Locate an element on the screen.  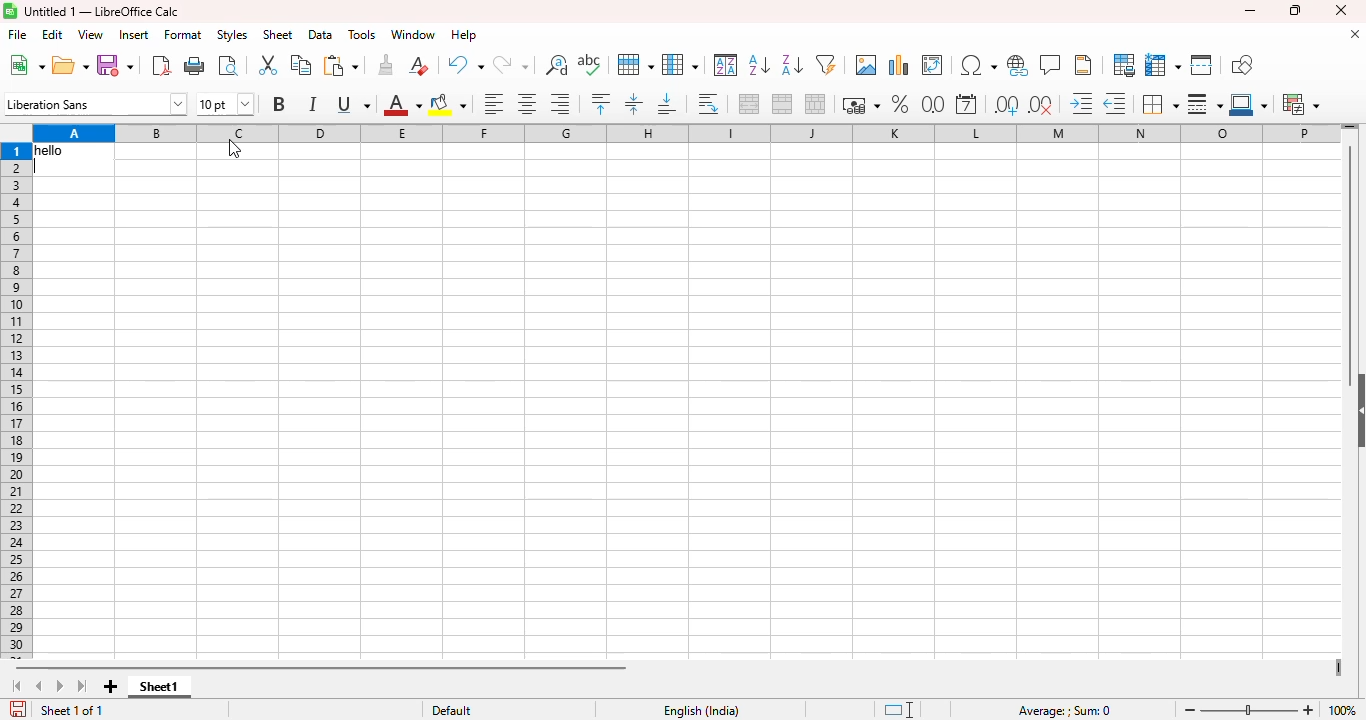
insert hyperlink is located at coordinates (1018, 65).